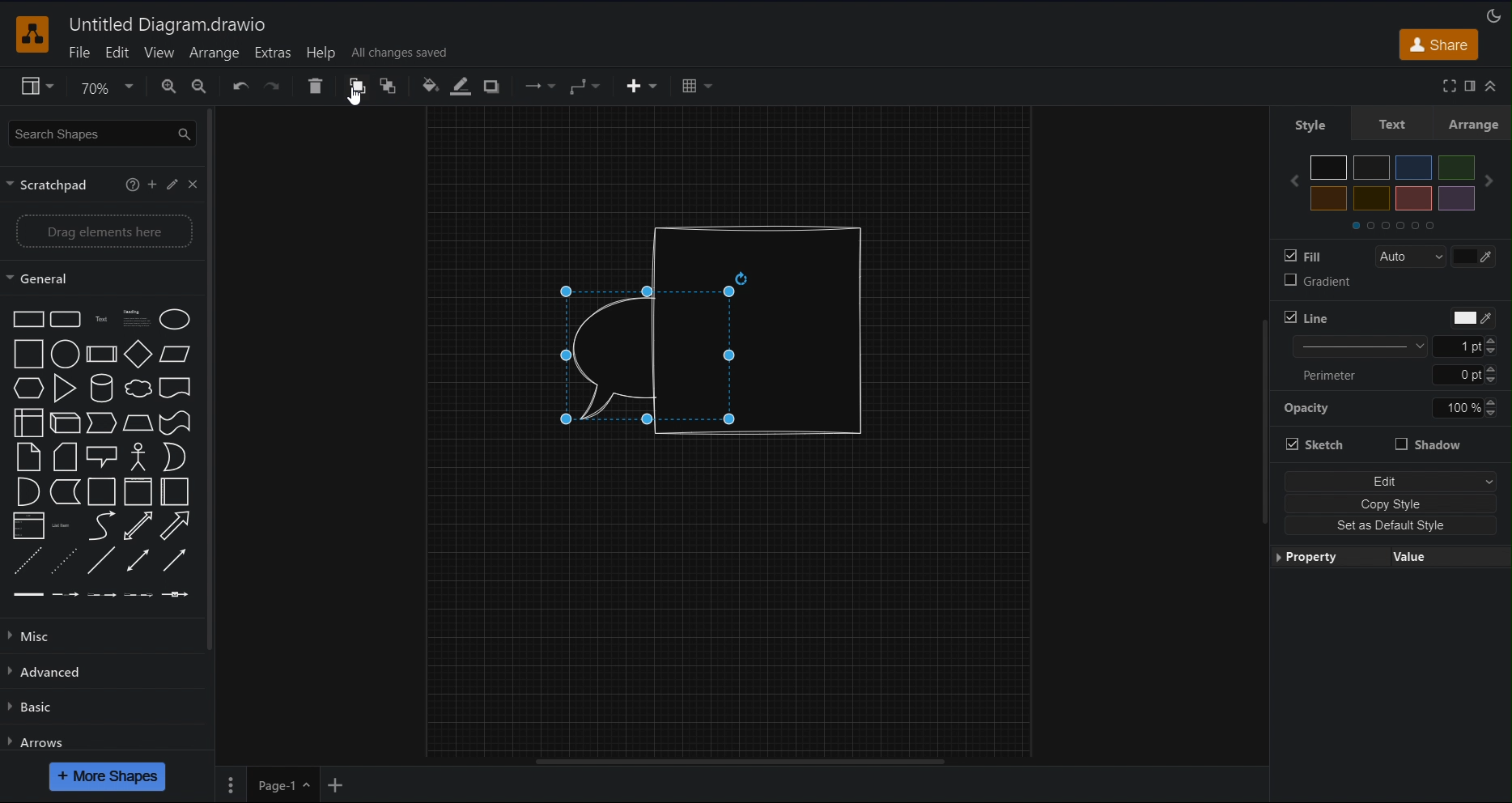 The width and height of the screenshot is (1512, 803). Describe the element at coordinates (1392, 225) in the screenshot. I see `Color sets` at that location.